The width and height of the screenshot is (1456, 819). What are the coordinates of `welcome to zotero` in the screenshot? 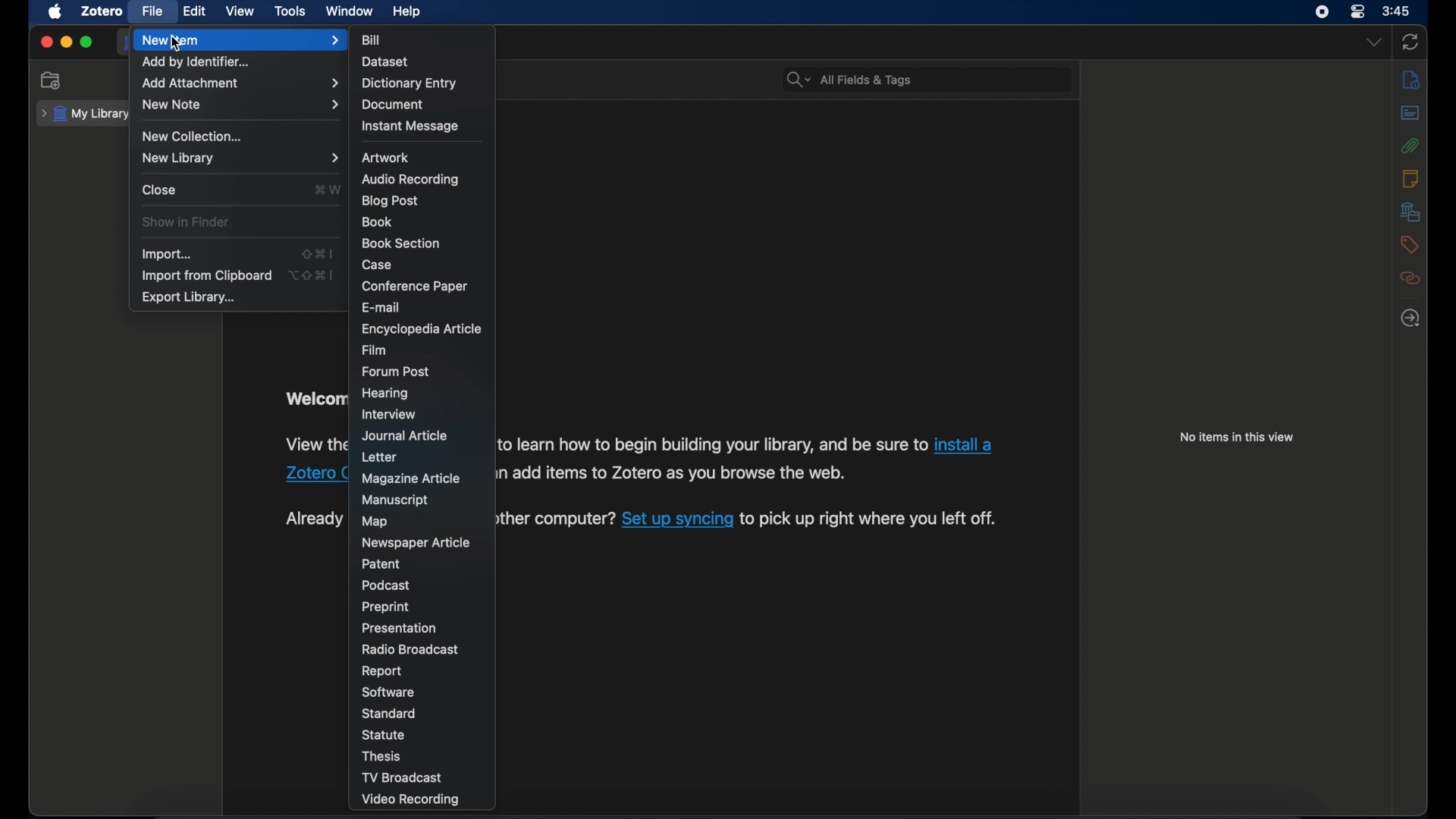 It's located at (314, 399).